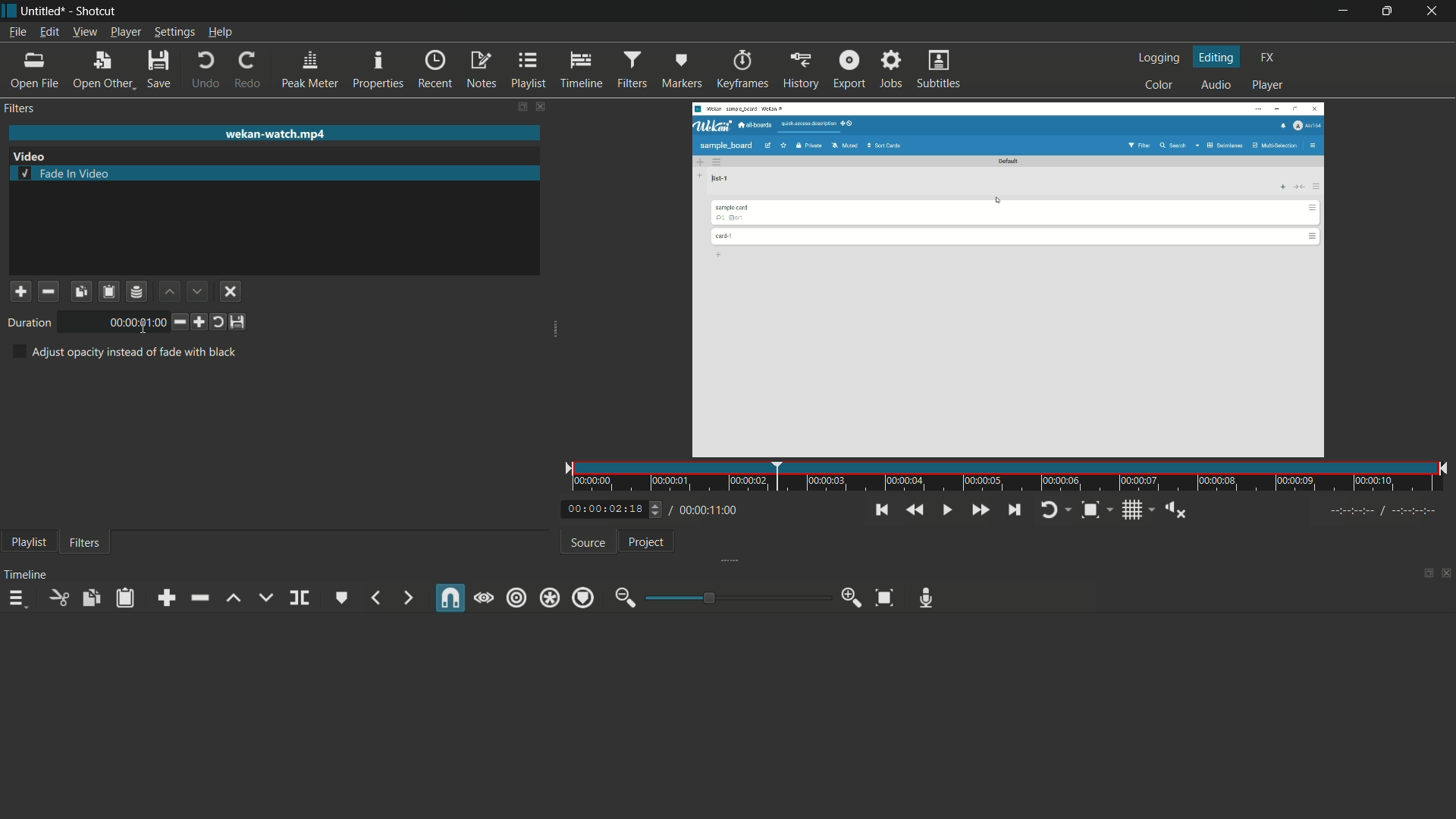 The image size is (1456, 819). Describe the element at coordinates (1269, 58) in the screenshot. I see `fx` at that location.